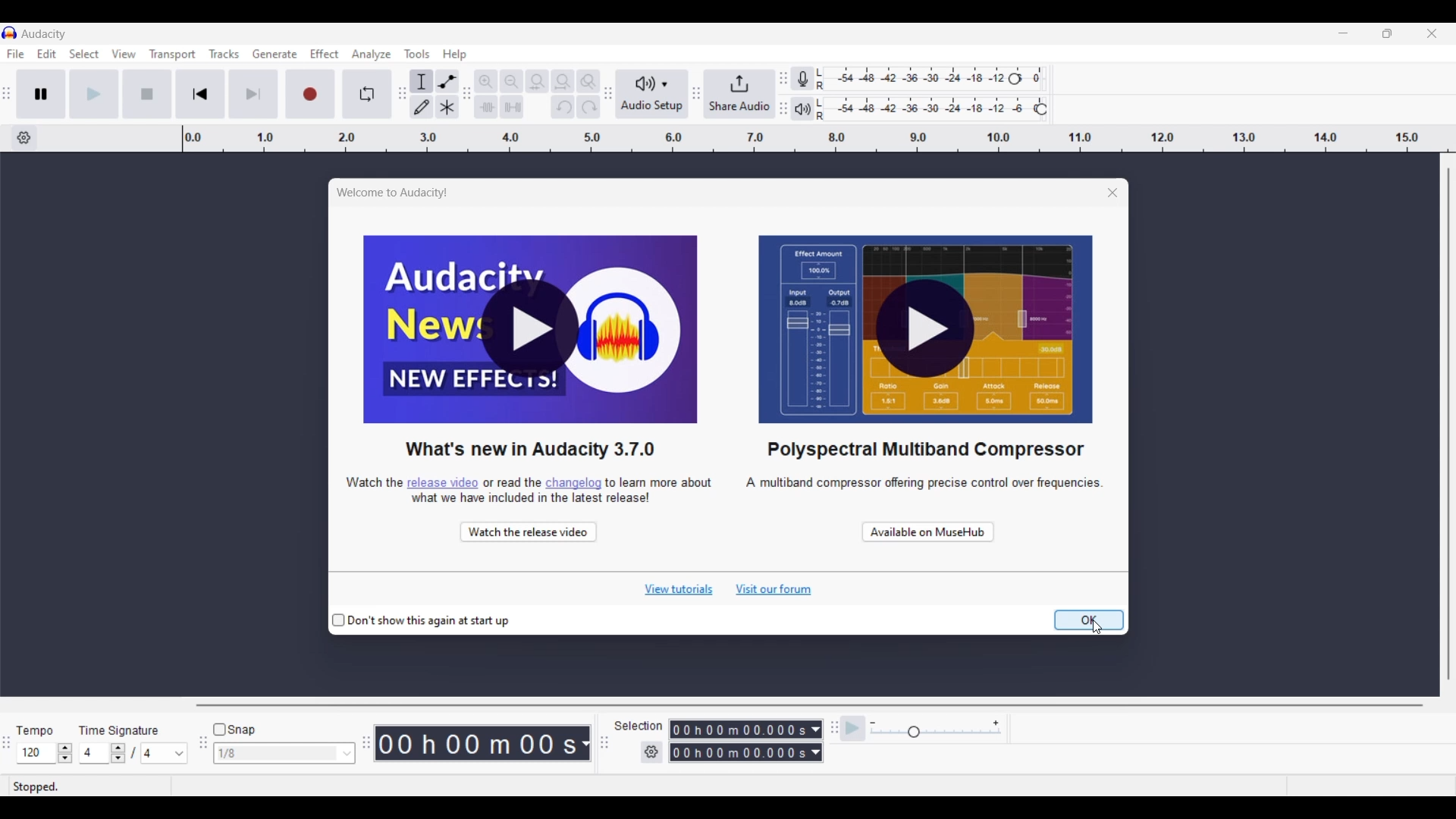 Image resolution: width=1456 pixels, height=819 pixels. Describe the element at coordinates (202, 747) in the screenshot. I see `toolbar` at that location.